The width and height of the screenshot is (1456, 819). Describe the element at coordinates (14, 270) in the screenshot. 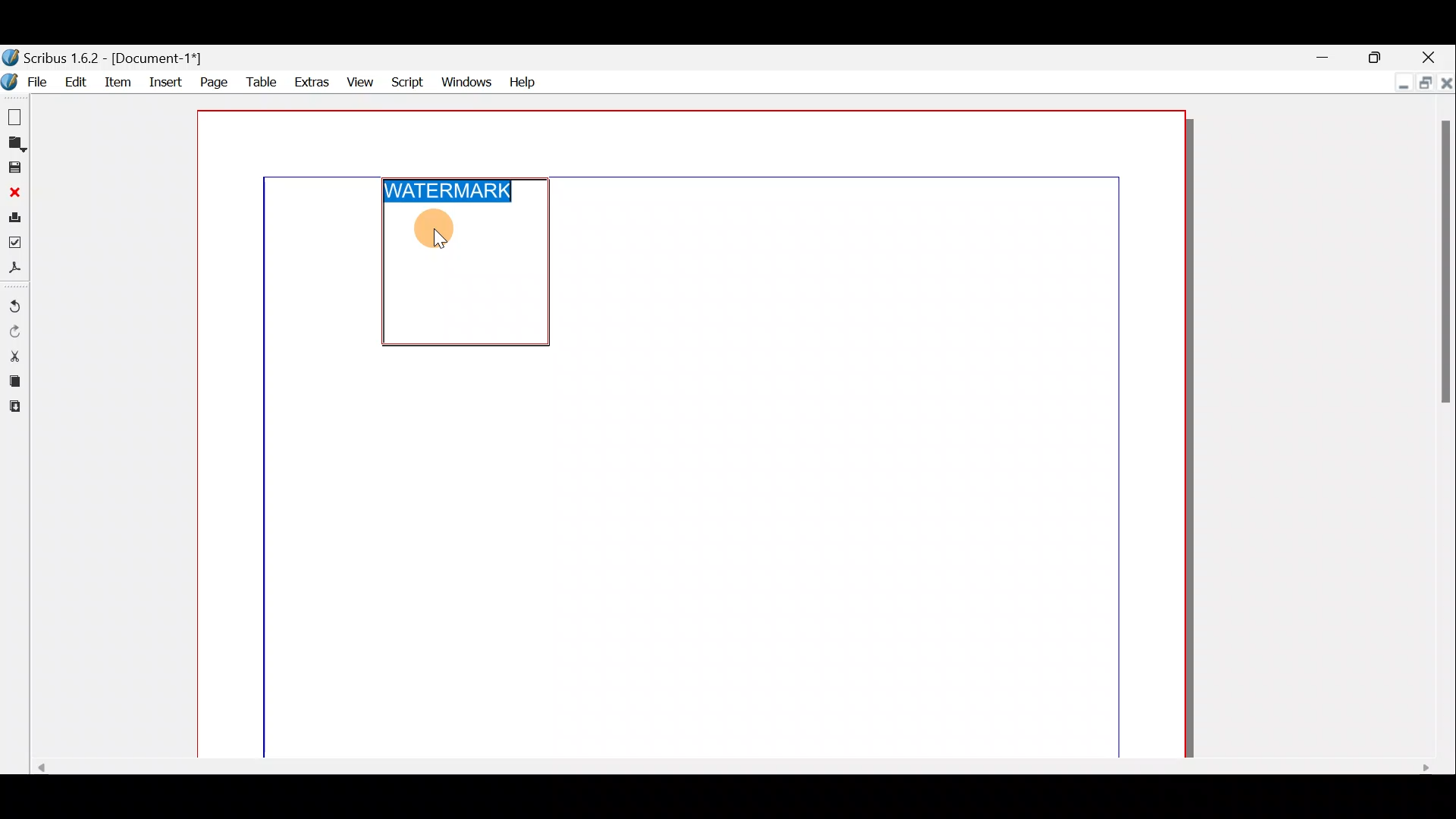

I see `Save as PDF` at that location.